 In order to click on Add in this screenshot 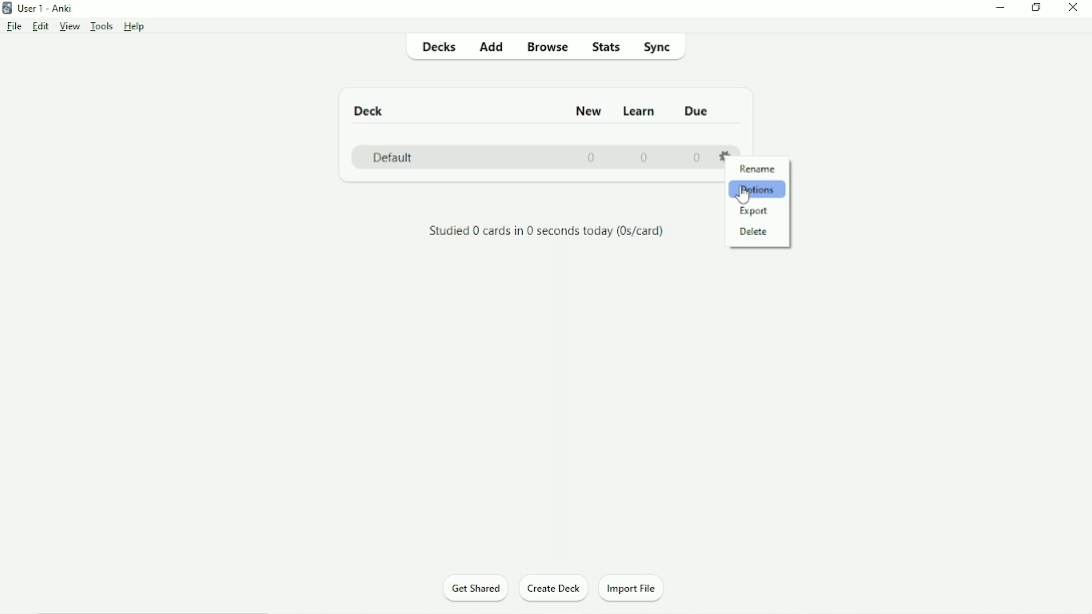, I will do `click(491, 45)`.